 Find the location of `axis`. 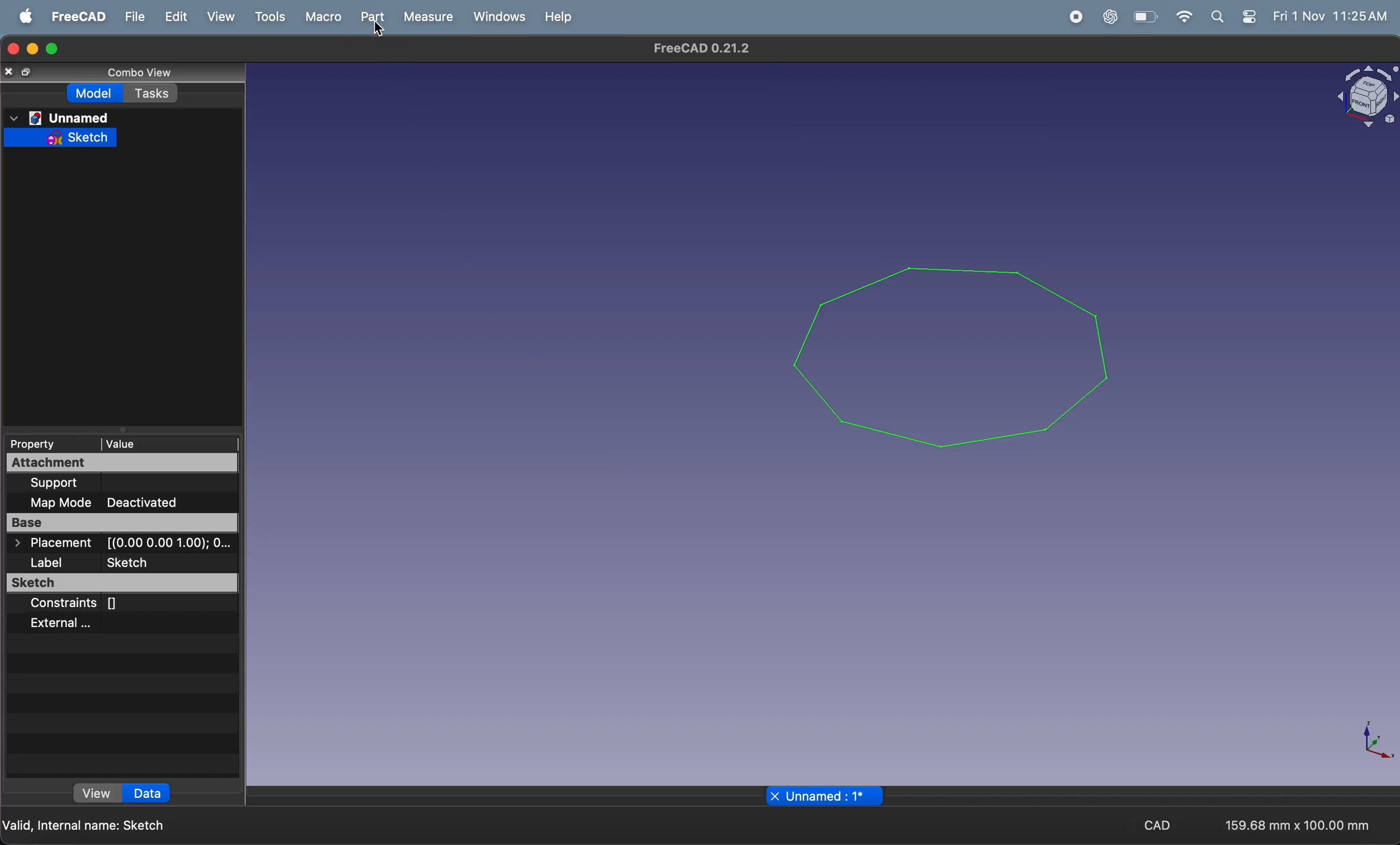

axis is located at coordinates (1372, 742).